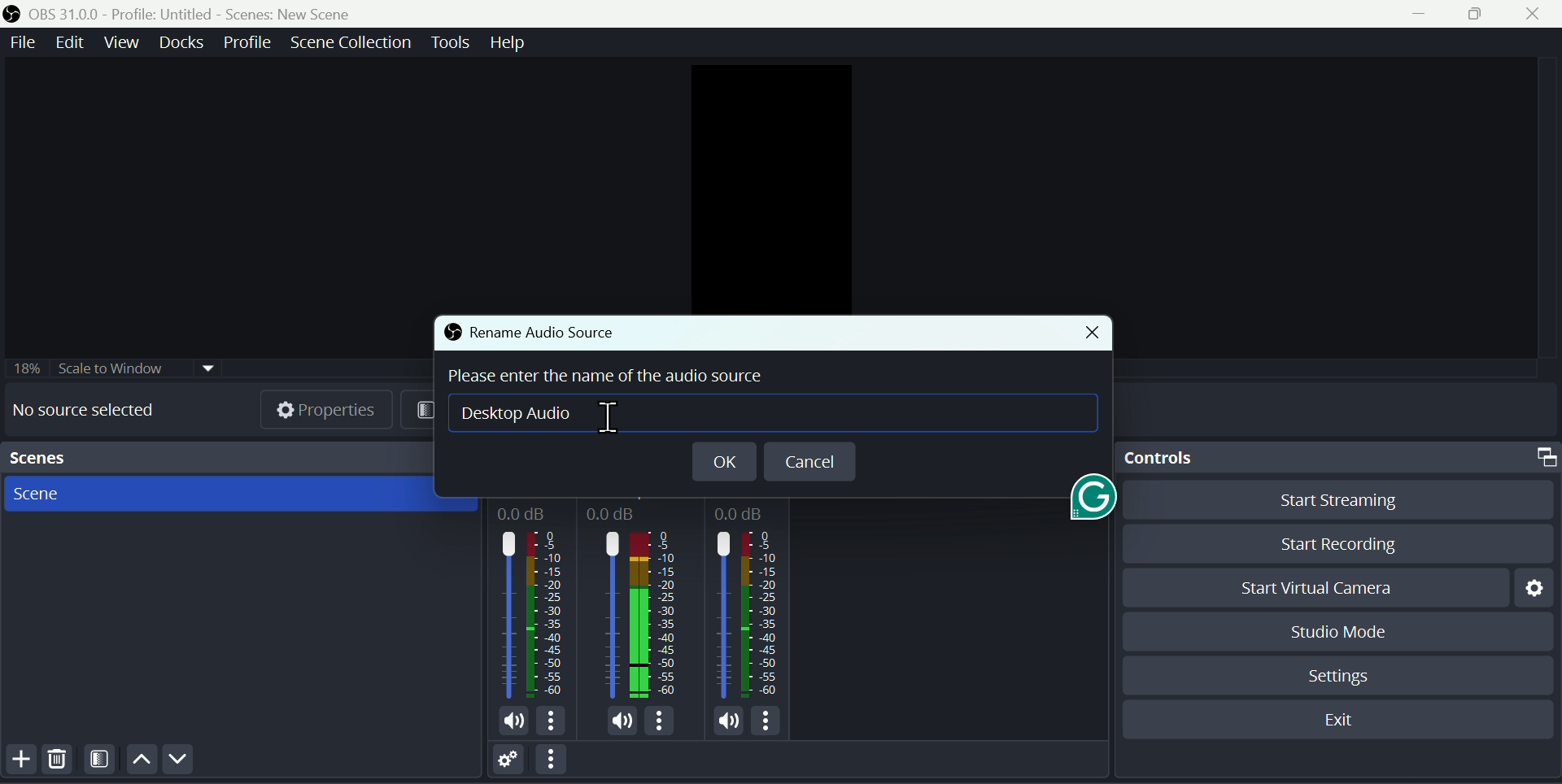 This screenshot has height=784, width=1562. I want to click on close, so click(1087, 333).